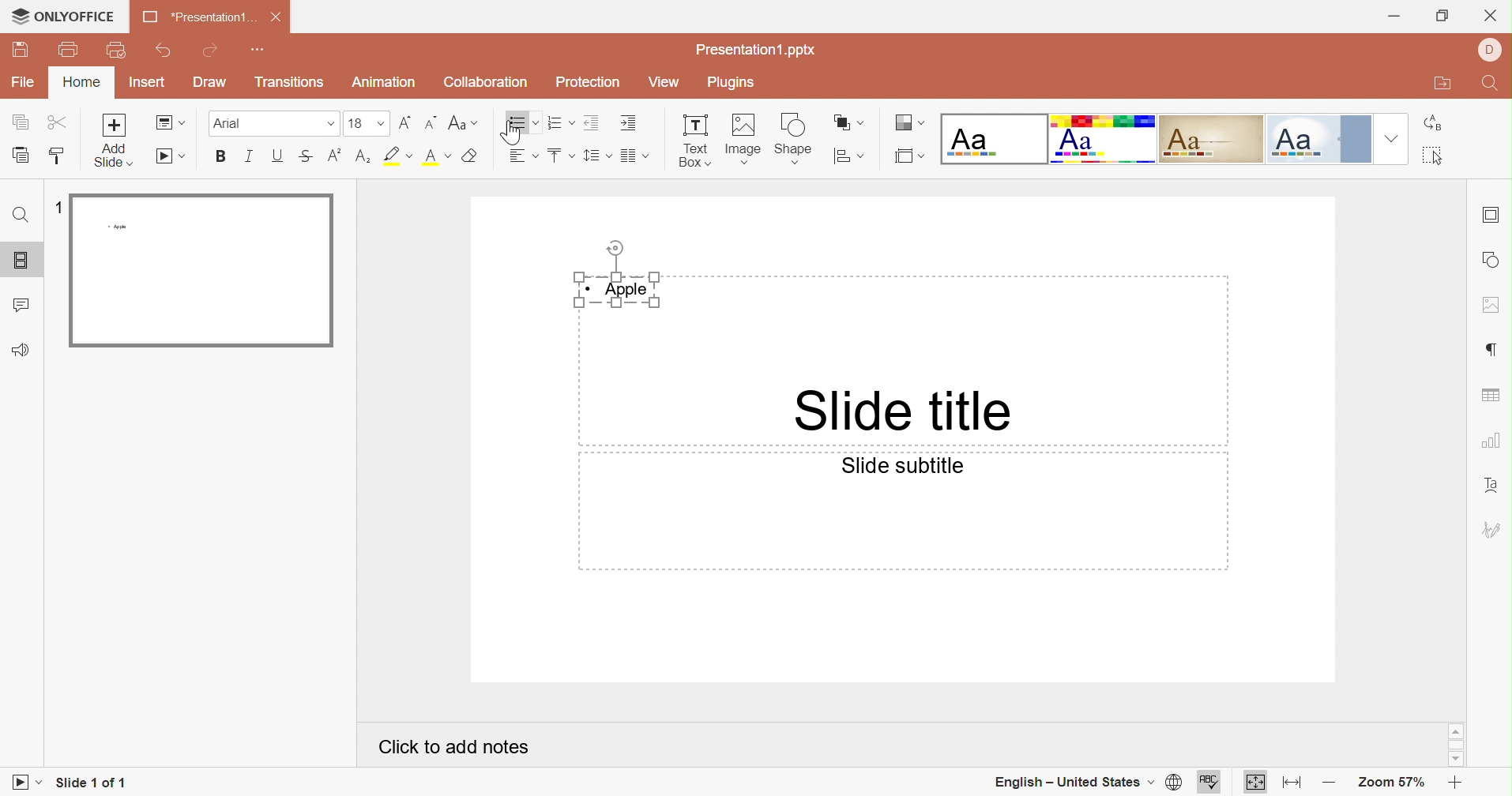  I want to click on Presentation1.pptx, so click(762, 50).